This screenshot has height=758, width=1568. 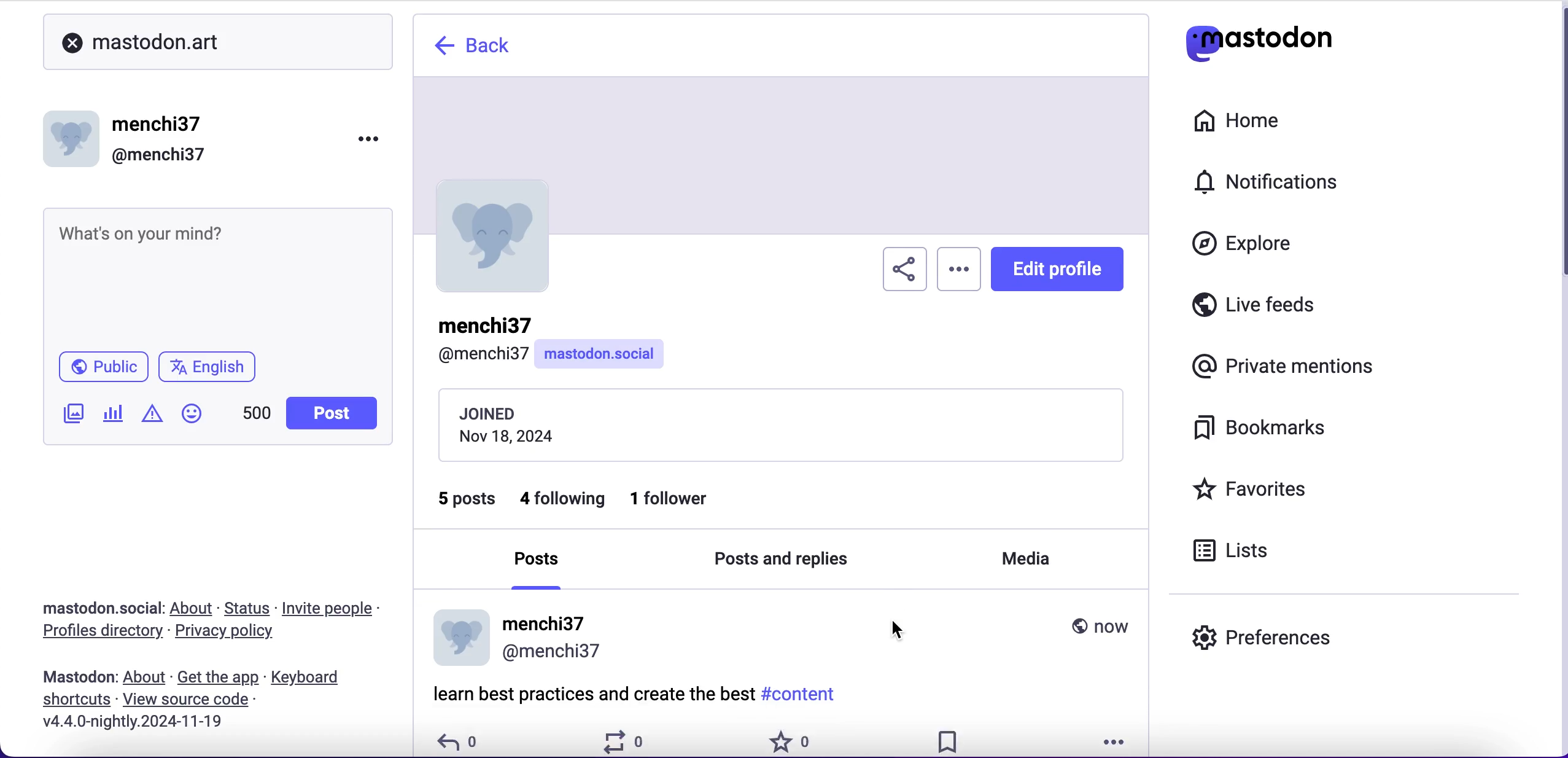 I want to click on get the app, so click(x=219, y=678).